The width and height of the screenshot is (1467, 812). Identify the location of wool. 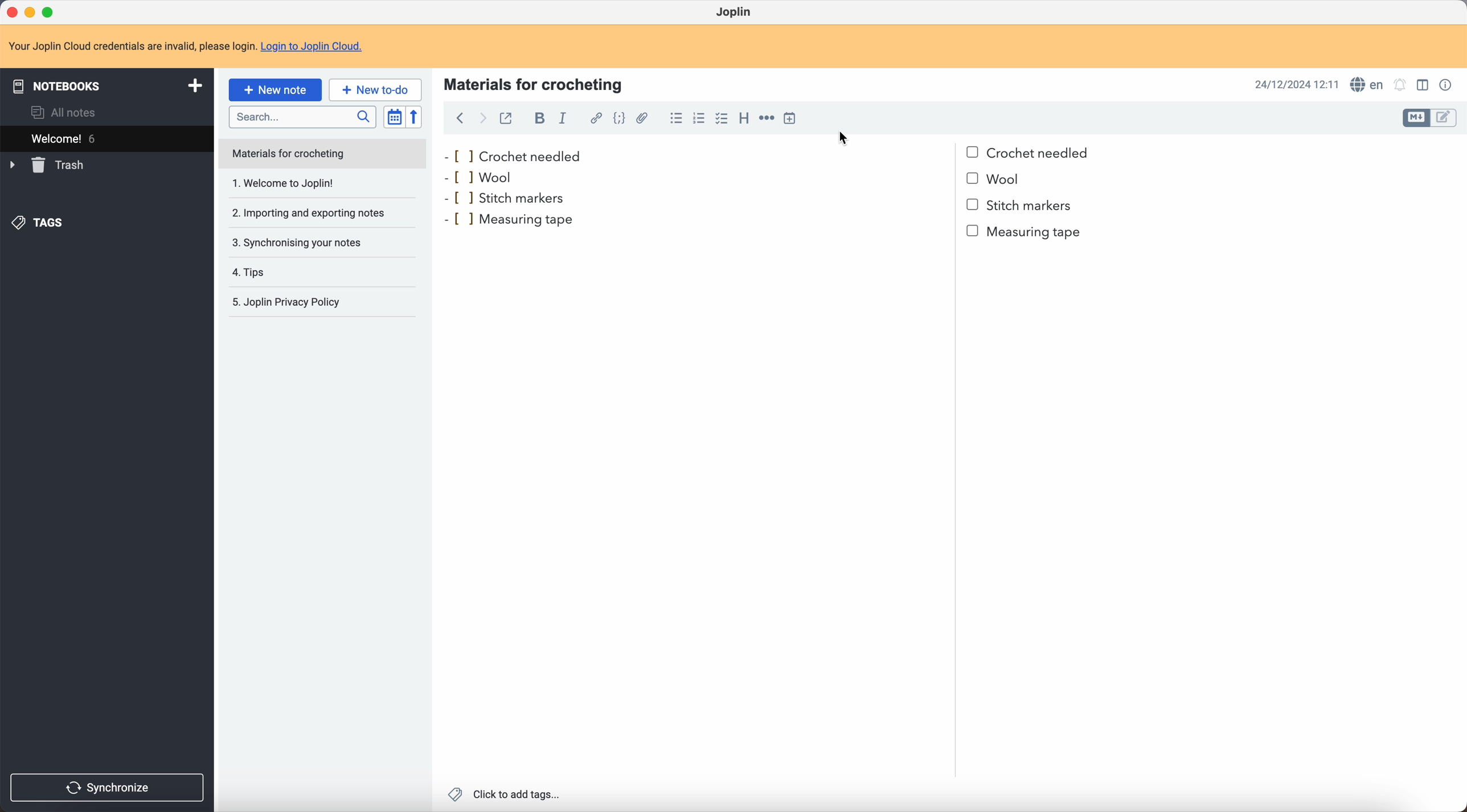
(495, 177).